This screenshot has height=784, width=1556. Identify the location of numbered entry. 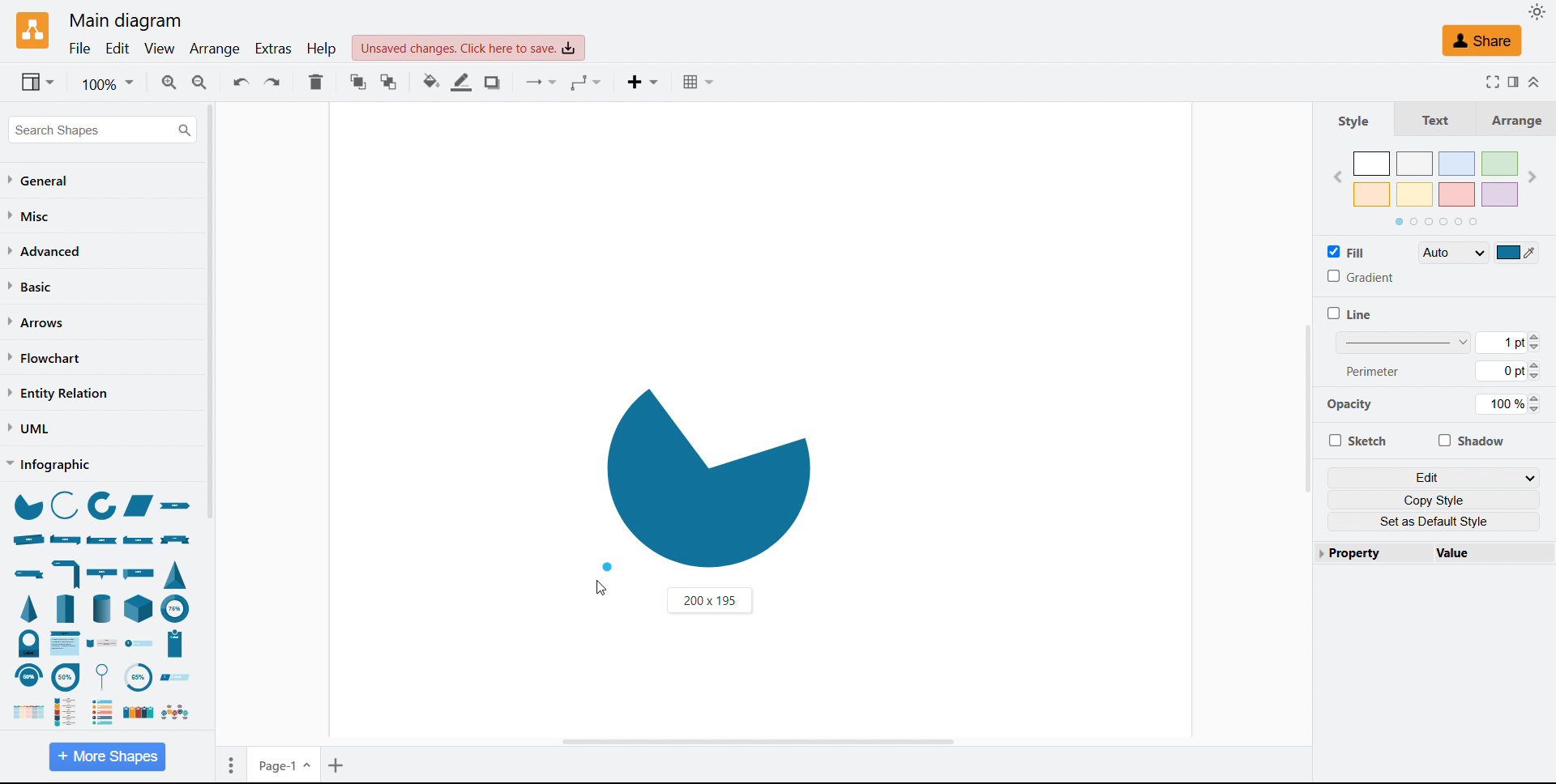
(139, 644).